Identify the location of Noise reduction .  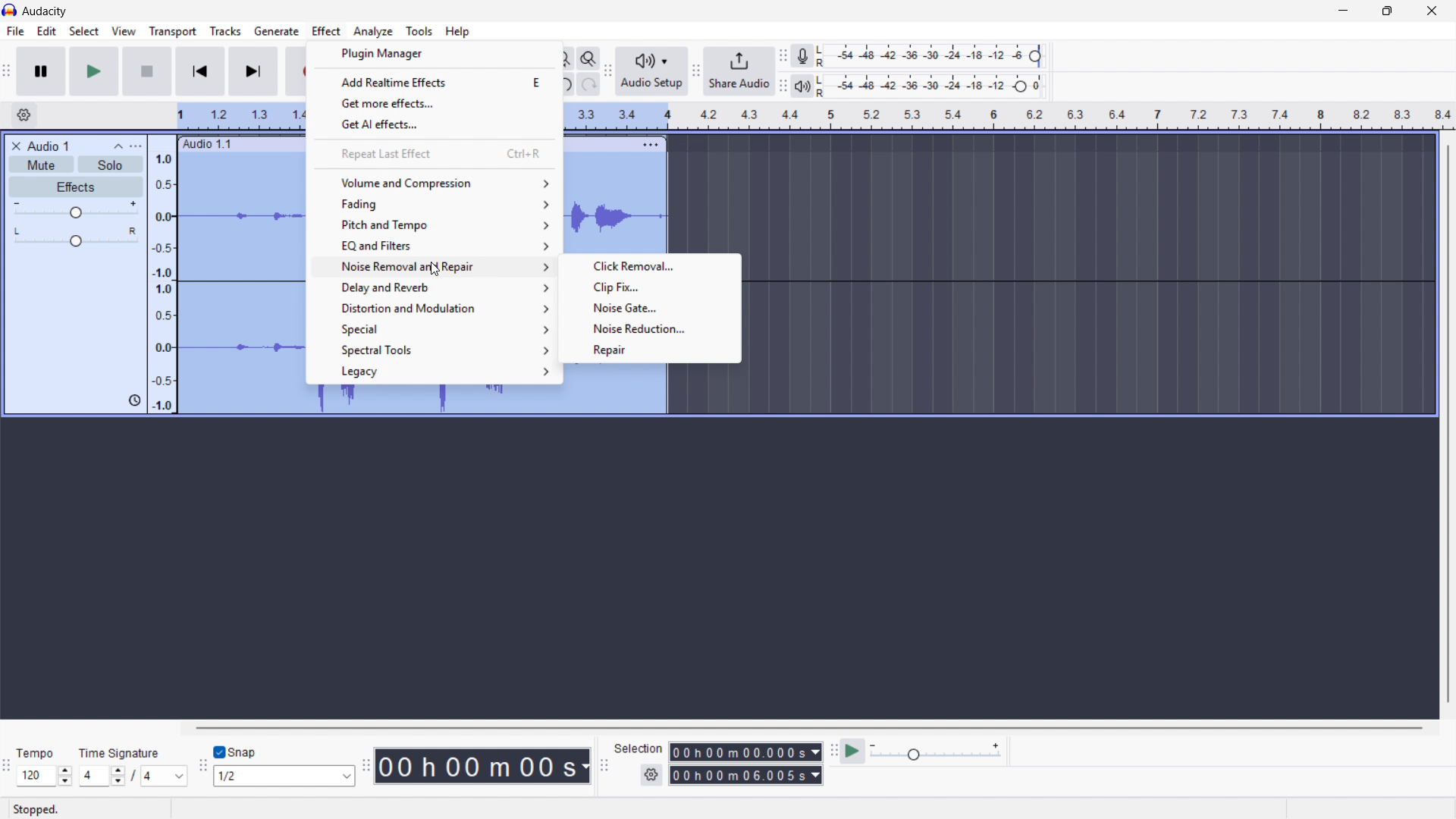
(649, 328).